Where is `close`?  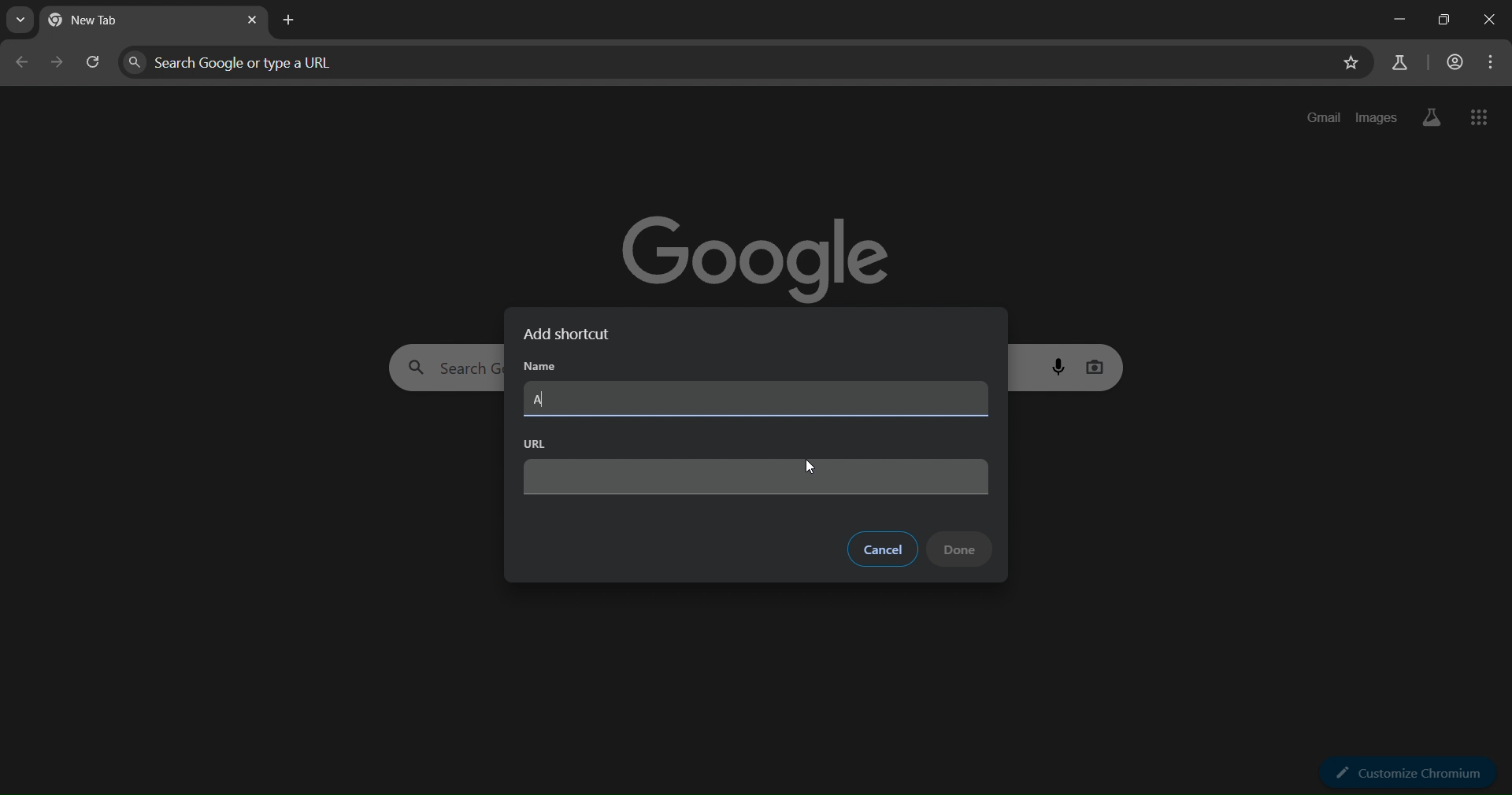 close is located at coordinates (1488, 20).